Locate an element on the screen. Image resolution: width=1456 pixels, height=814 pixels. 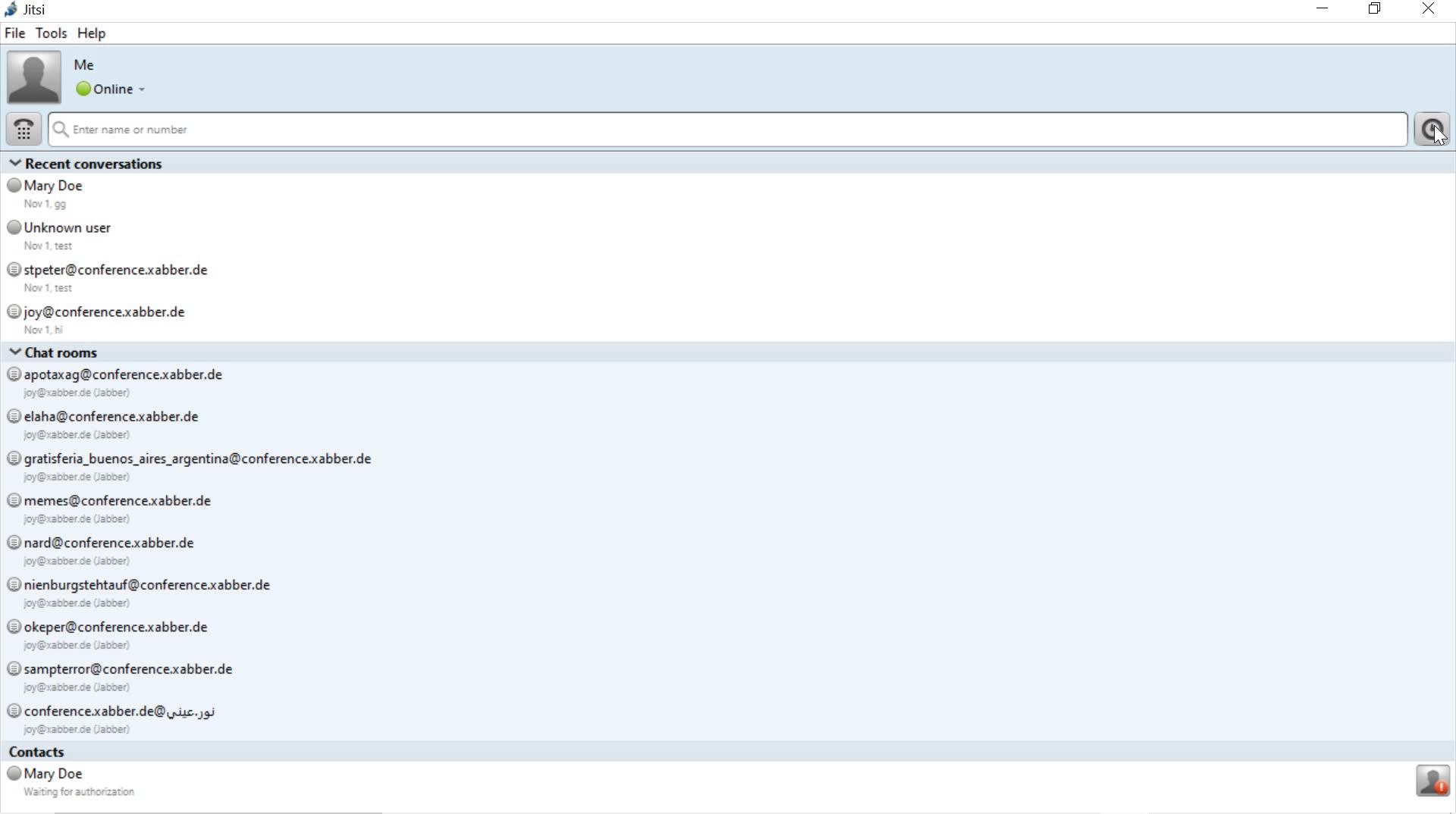
tools is located at coordinates (52, 31).